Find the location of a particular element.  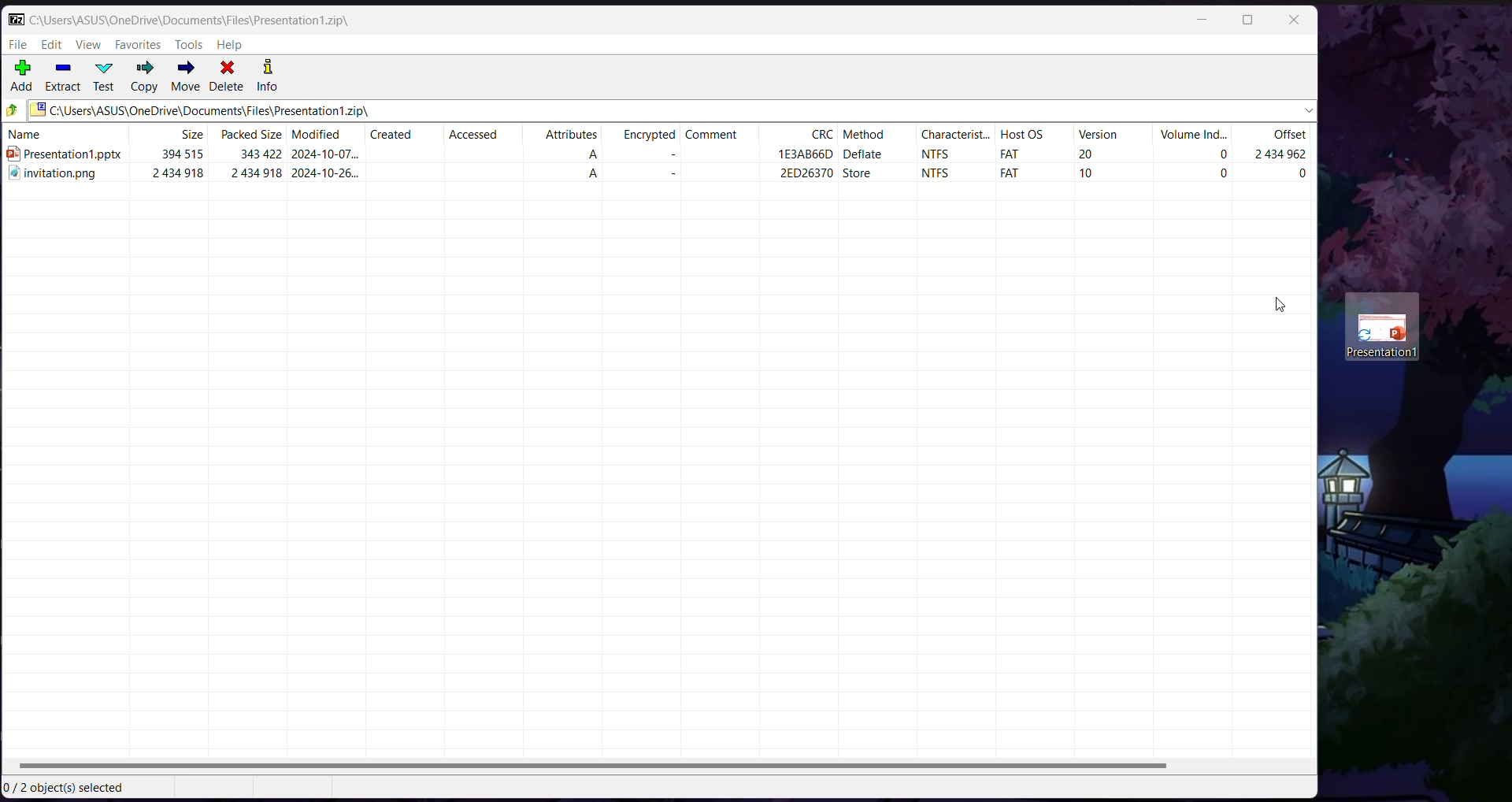

0 is located at coordinates (1220, 173).